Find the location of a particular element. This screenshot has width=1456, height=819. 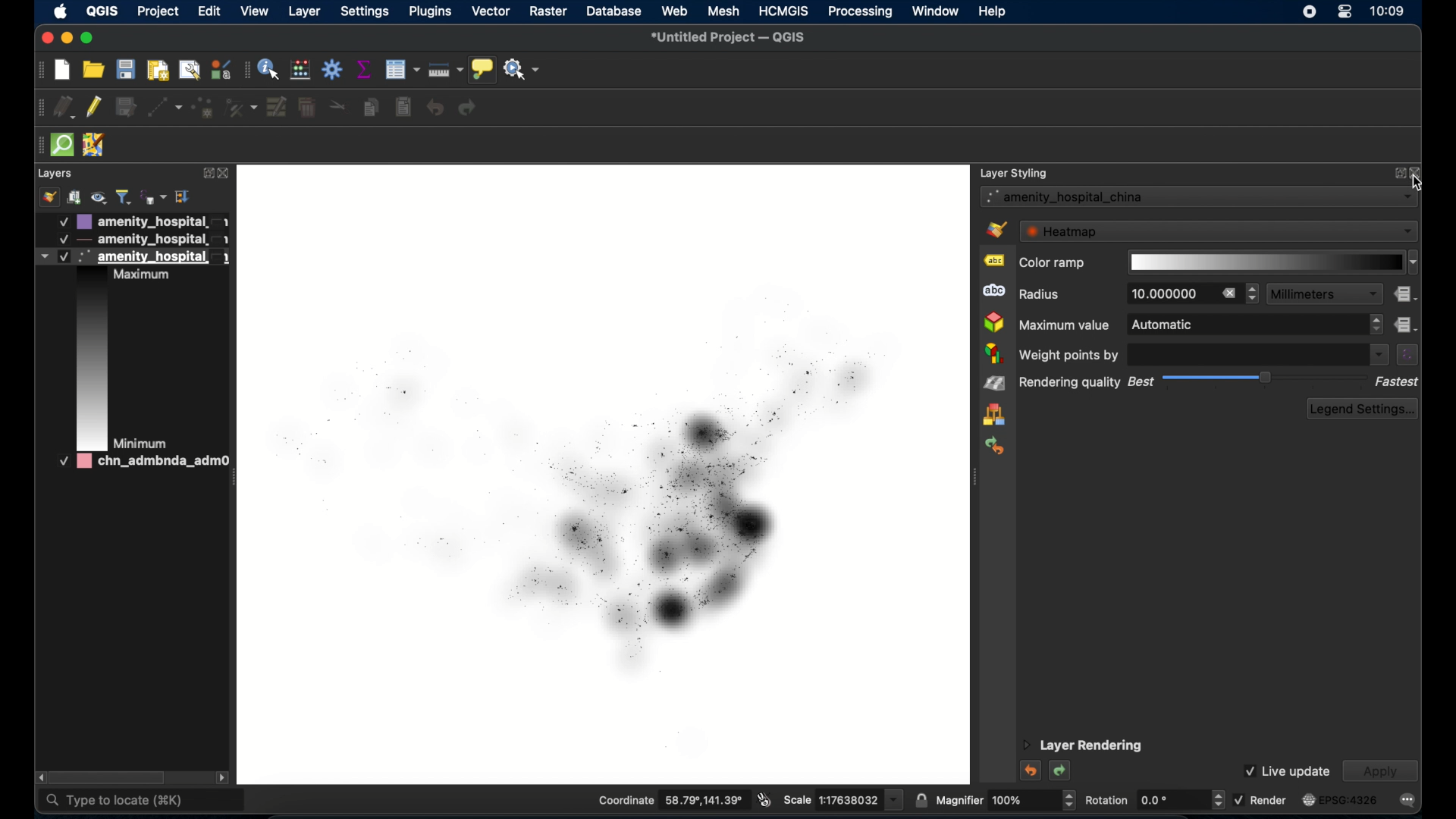

manage map theme is located at coordinates (101, 197).